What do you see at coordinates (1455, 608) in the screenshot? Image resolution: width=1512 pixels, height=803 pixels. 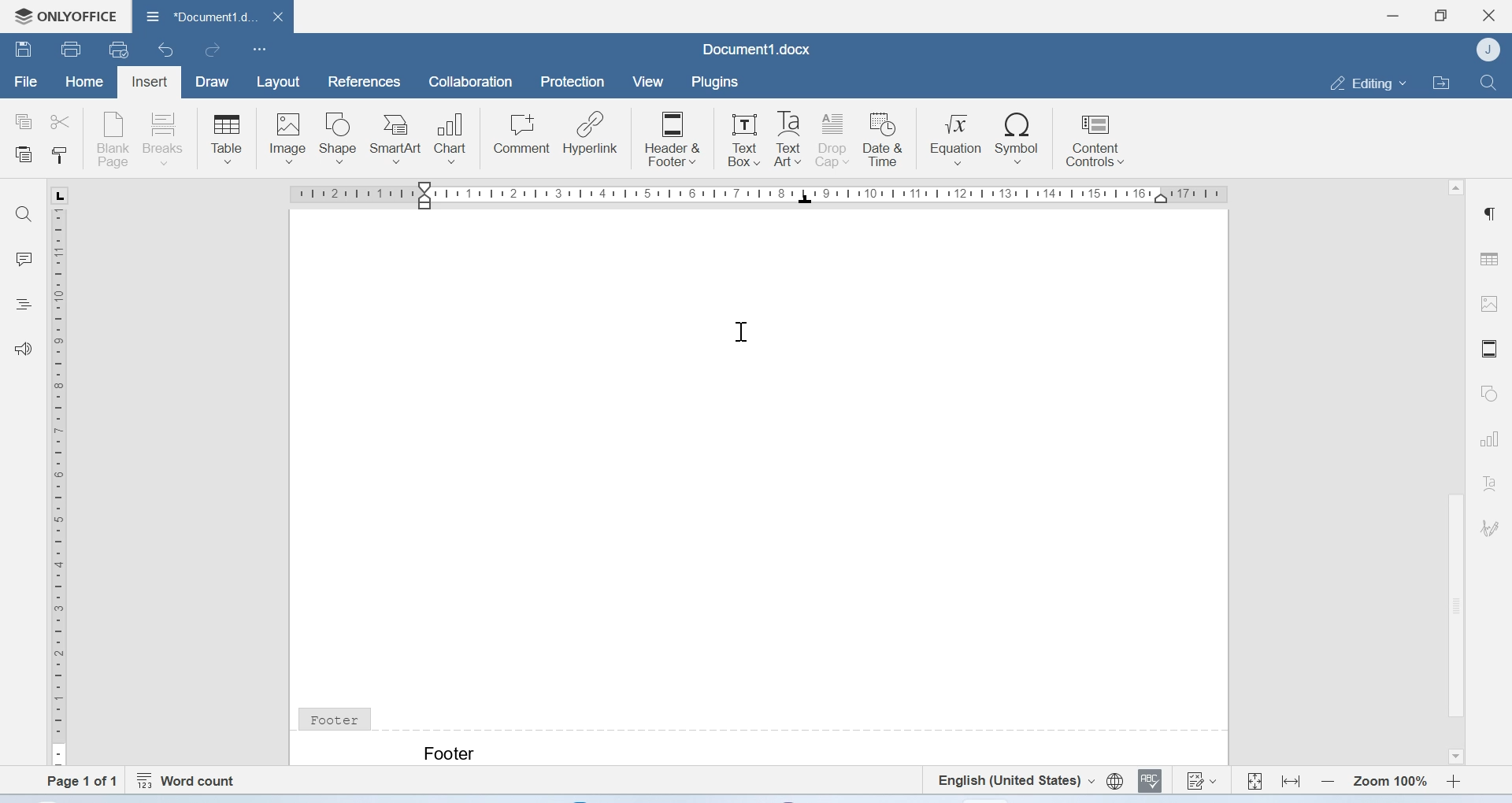 I see `Scrollbar` at bounding box center [1455, 608].